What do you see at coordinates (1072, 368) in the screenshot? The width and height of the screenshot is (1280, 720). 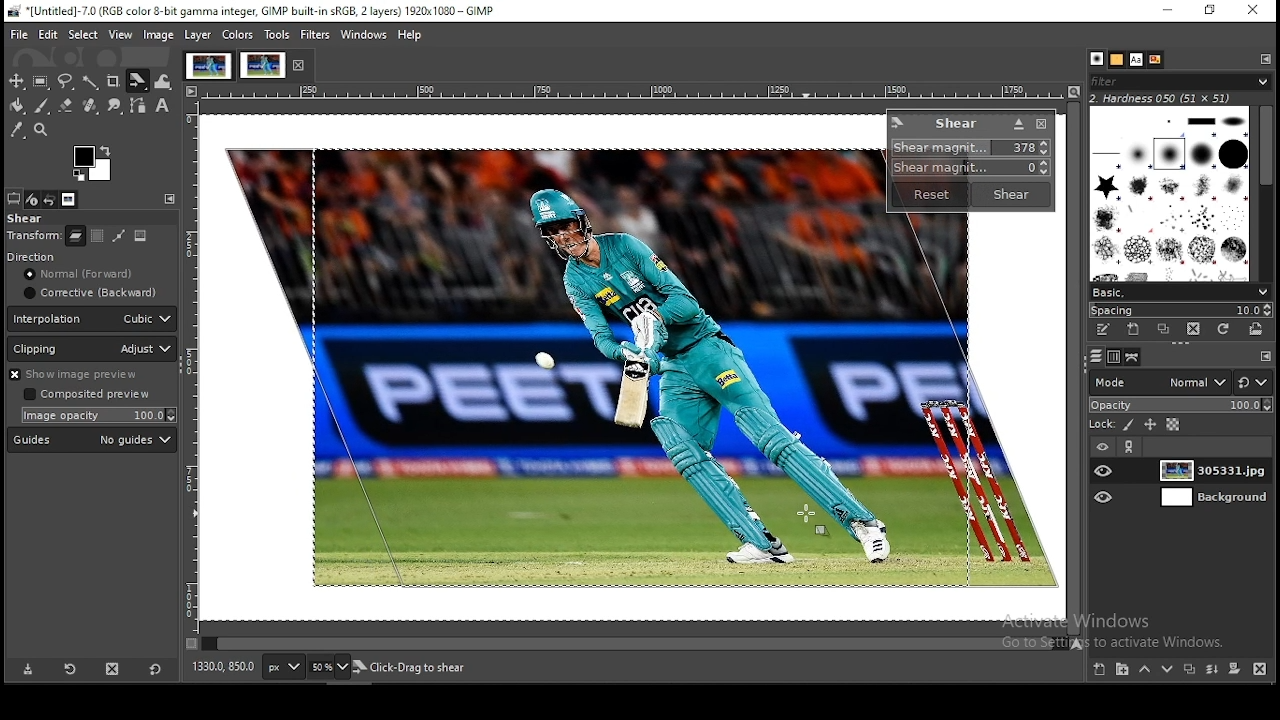 I see `scroll bar` at bounding box center [1072, 368].